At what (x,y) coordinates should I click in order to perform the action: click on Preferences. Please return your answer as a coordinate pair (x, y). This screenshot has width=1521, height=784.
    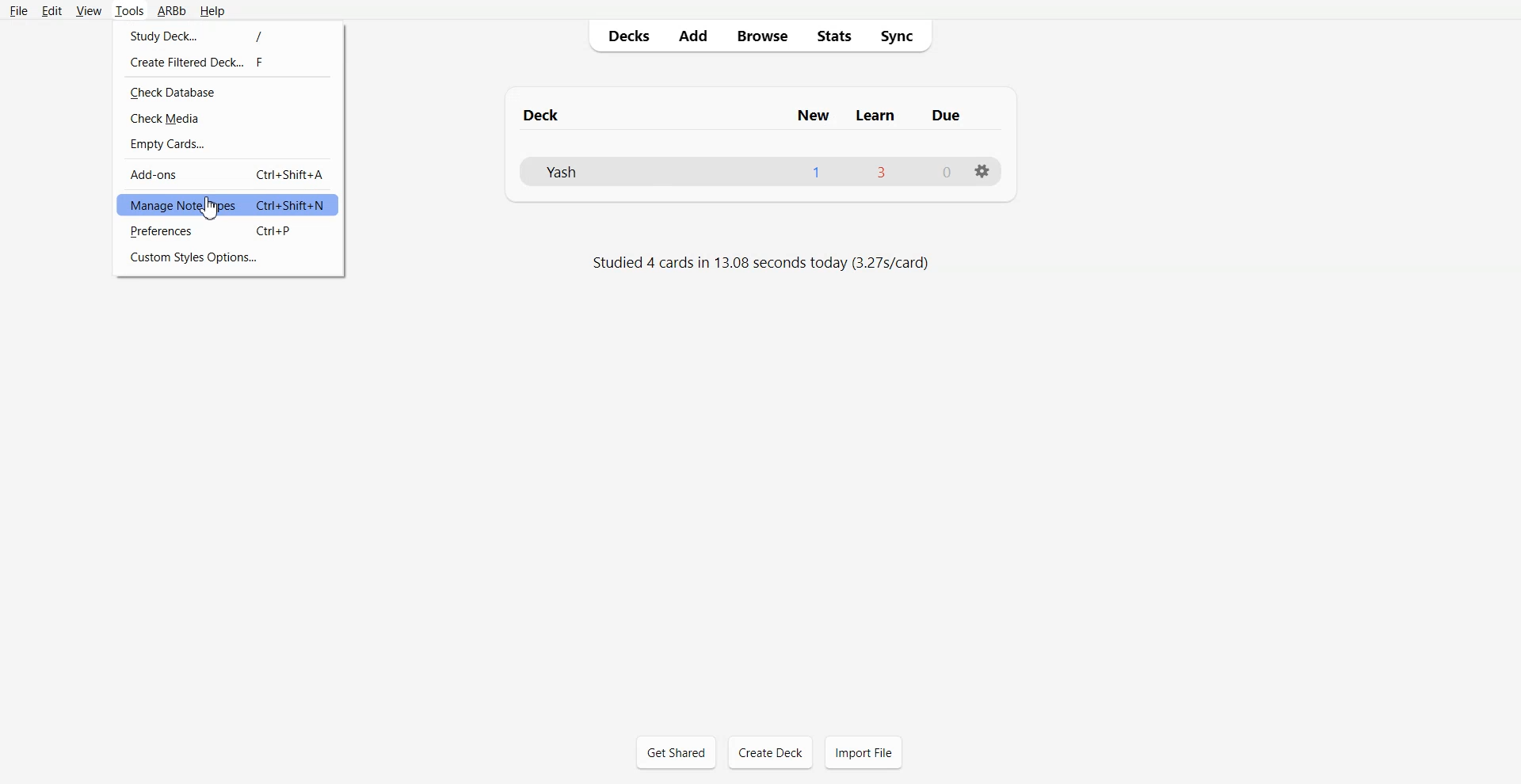
    Looking at the image, I should click on (227, 231).